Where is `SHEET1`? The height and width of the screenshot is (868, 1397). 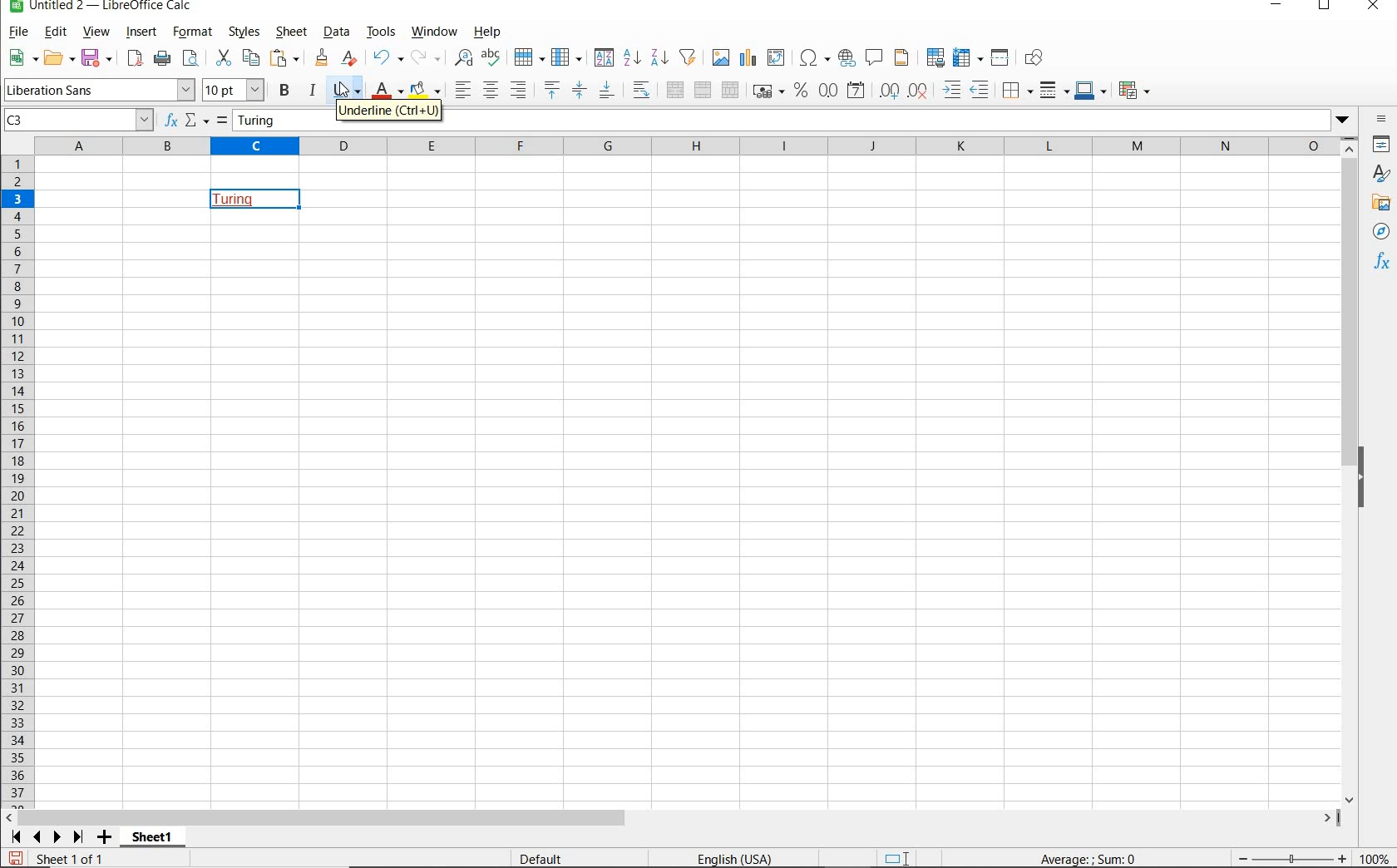 SHEET1 is located at coordinates (155, 839).